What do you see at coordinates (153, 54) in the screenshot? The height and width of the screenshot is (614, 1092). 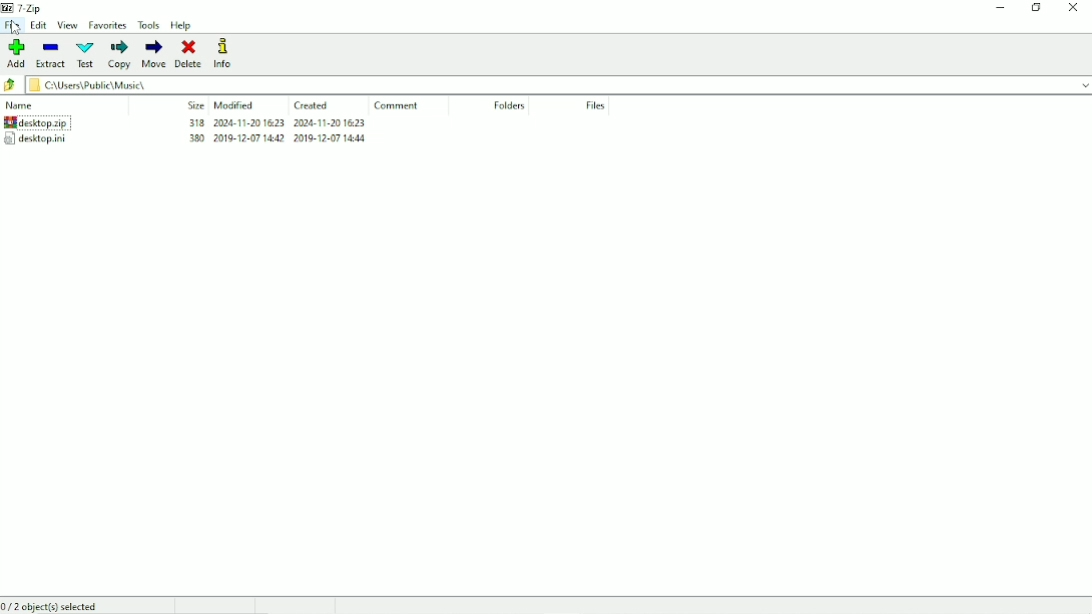 I see `Move` at bounding box center [153, 54].